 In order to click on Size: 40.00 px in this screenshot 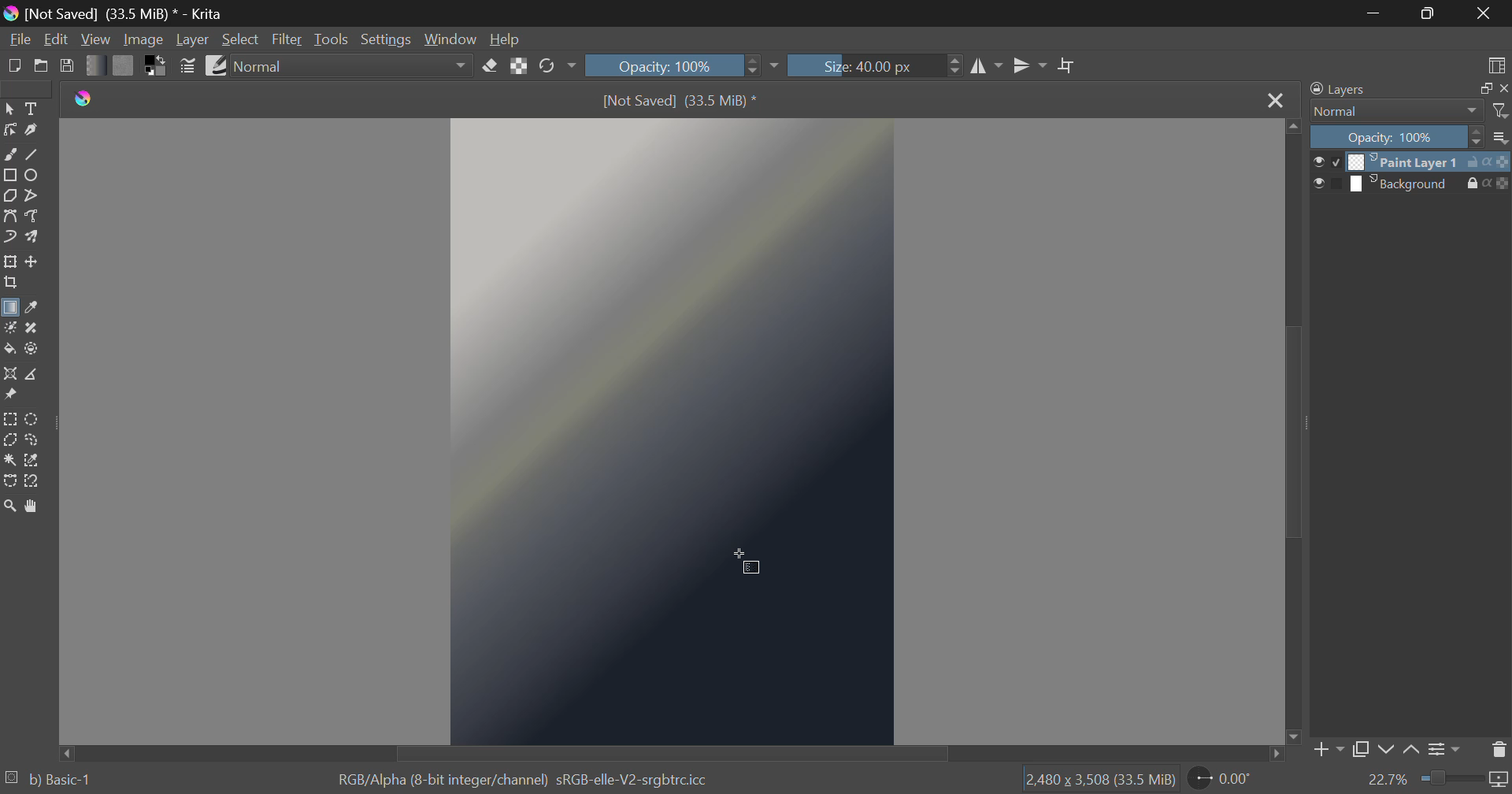, I will do `click(876, 64)`.